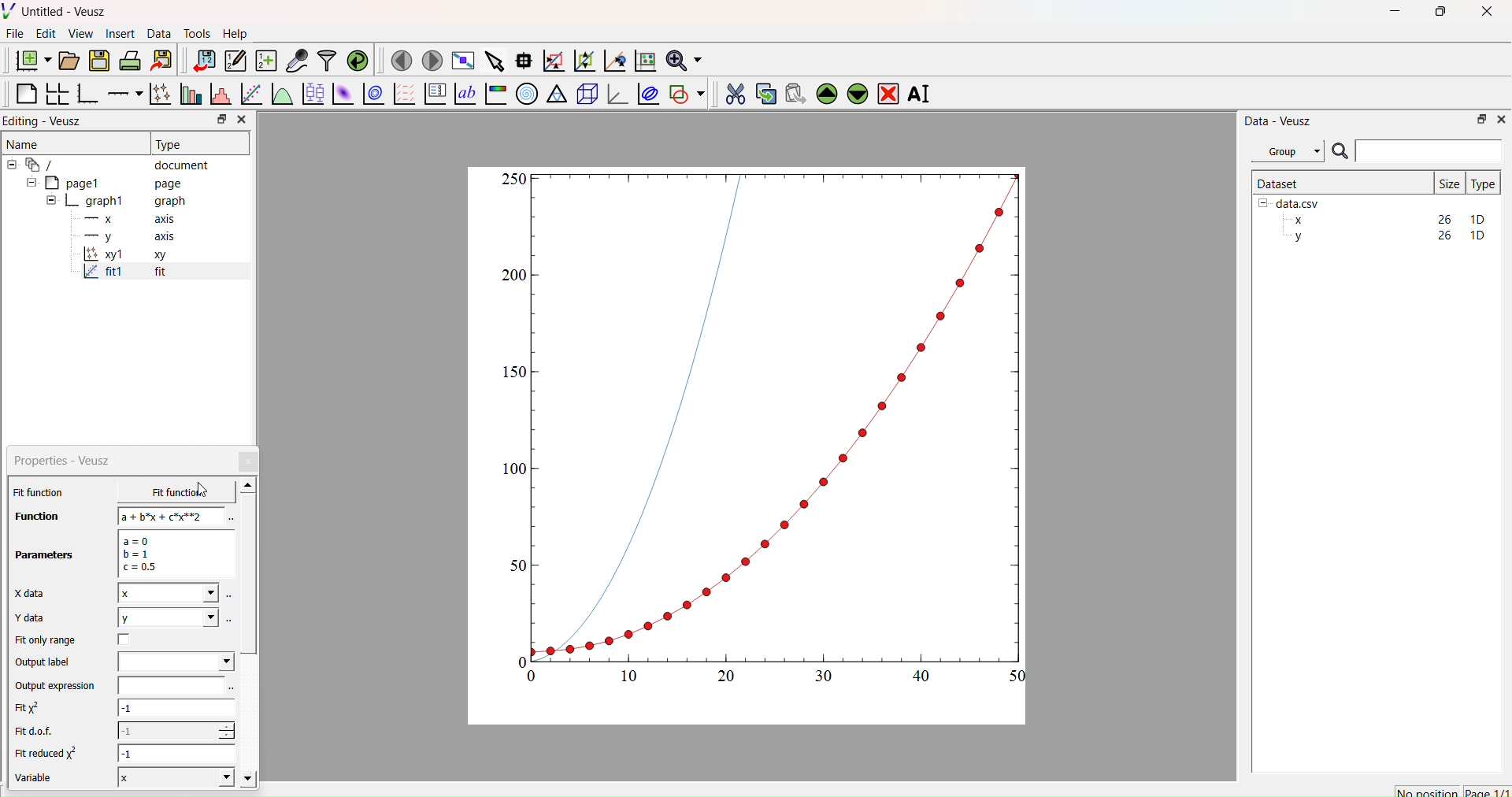 The width and height of the screenshot is (1512, 797). What do you see at coordinates (35, 708) in the screenshot?
I see `Fit x^2` at bounding box center [35, 708].